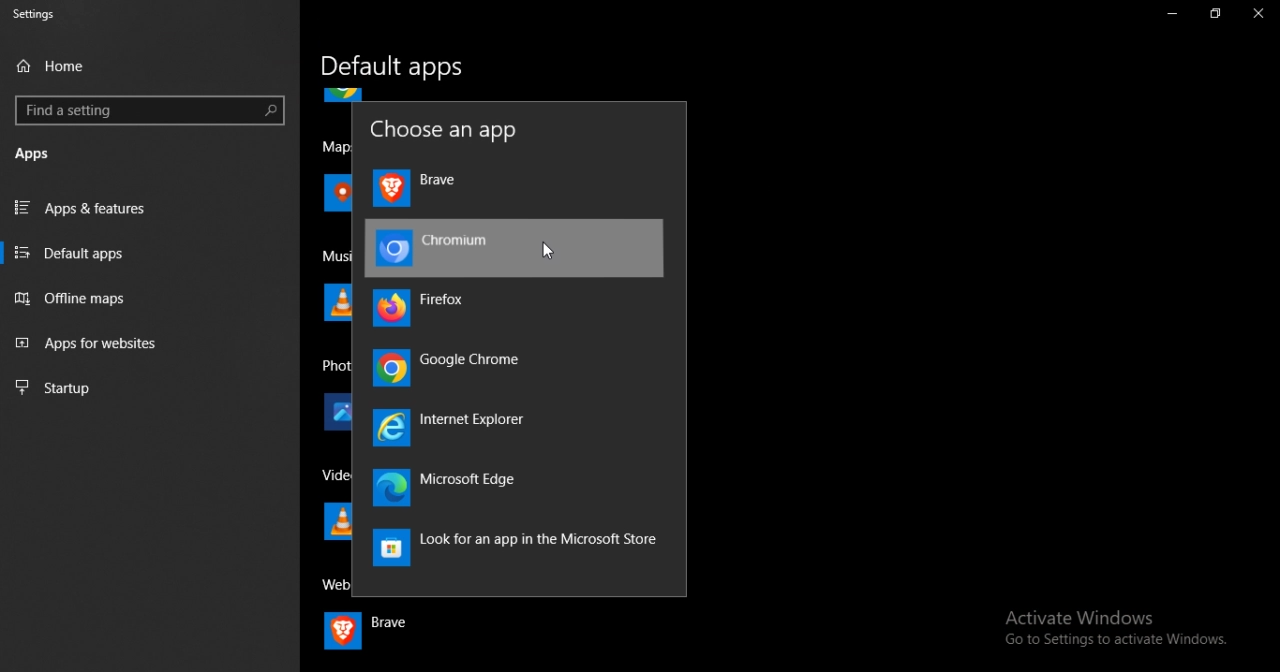 The image size is (1280, 672). I want to click on default apps, so click(397, 68).